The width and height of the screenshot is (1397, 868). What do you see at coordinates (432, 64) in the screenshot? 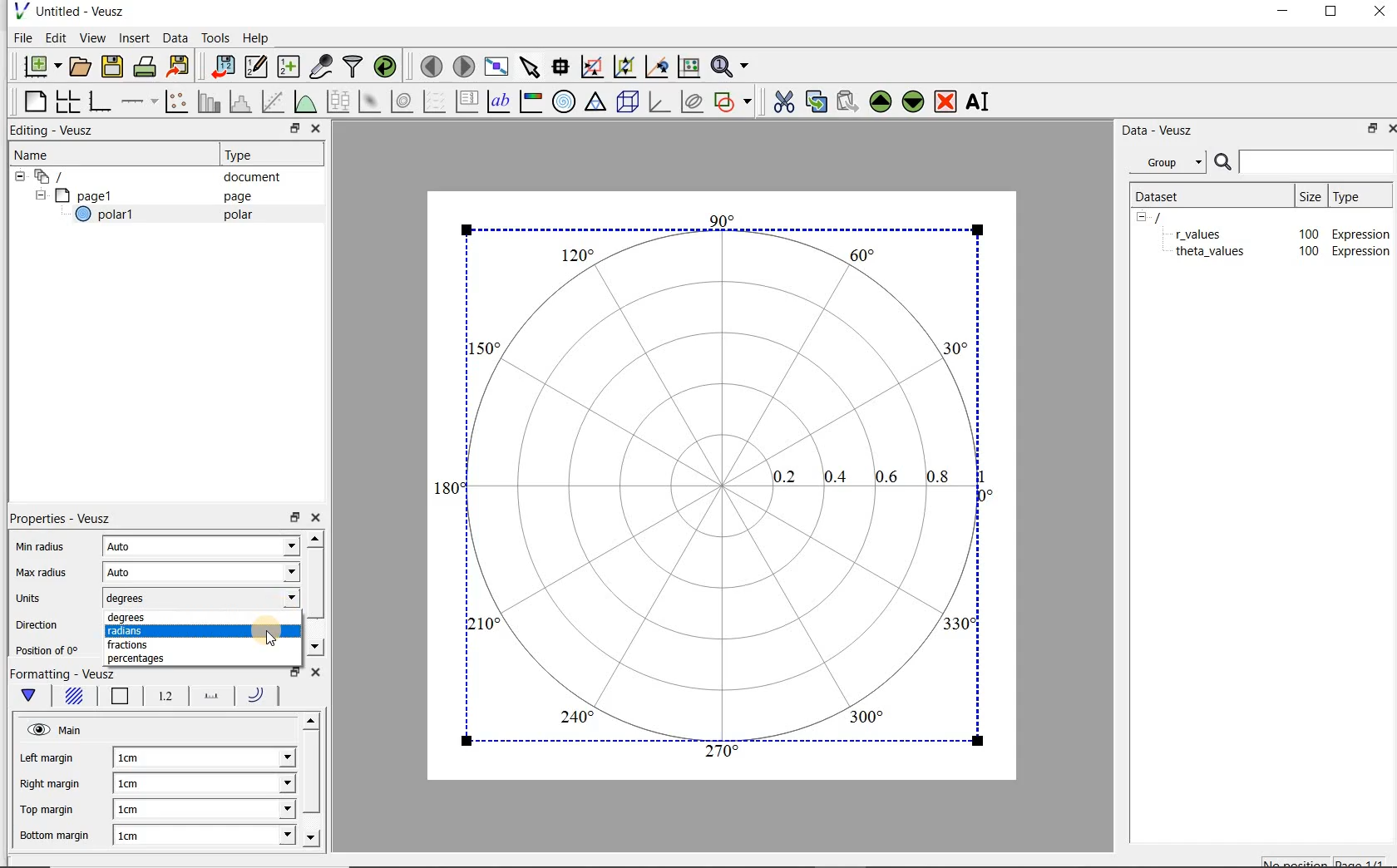
I see `move to the previous page` at bounding box center [432, 64].